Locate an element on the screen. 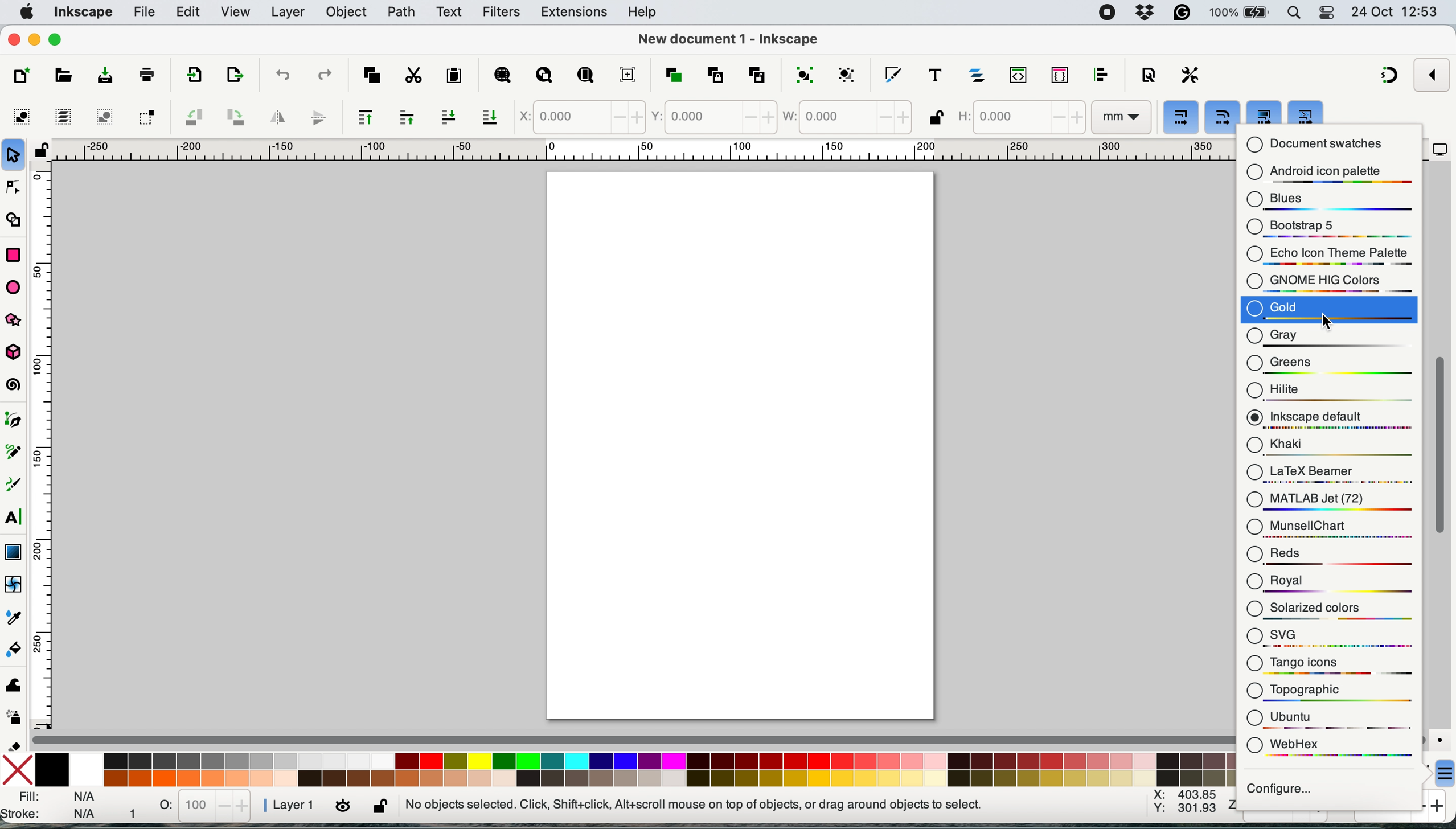  align and distribute is located at coordinates (1101, 75).